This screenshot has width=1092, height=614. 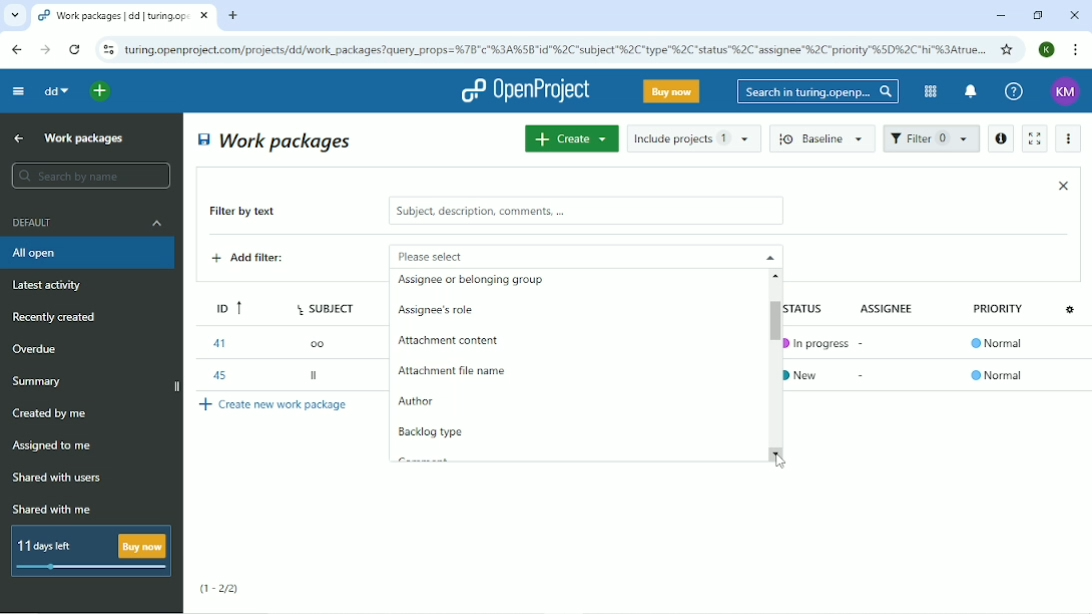 What do you see at coordinates (1066, 92) in the screenshot?
I see `Account` at bounding box center [1066, 92].